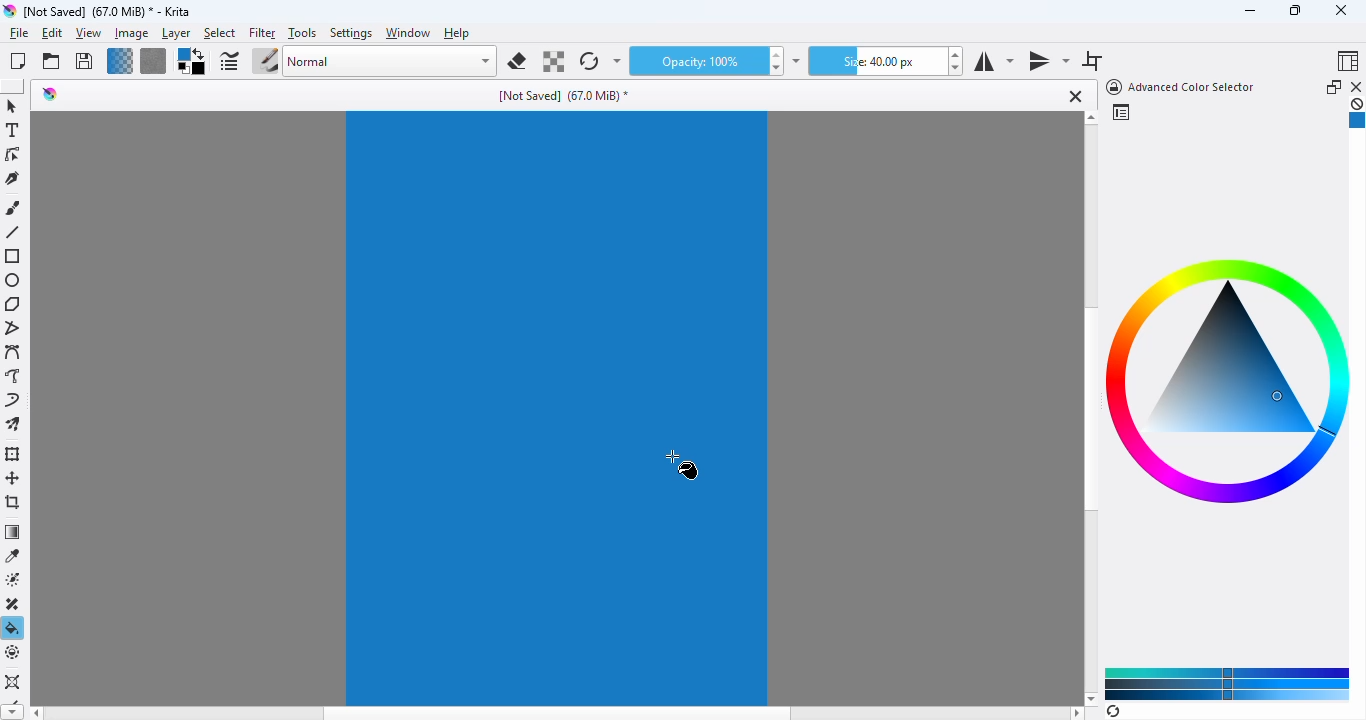  I want to click on title, so click(105, 12).